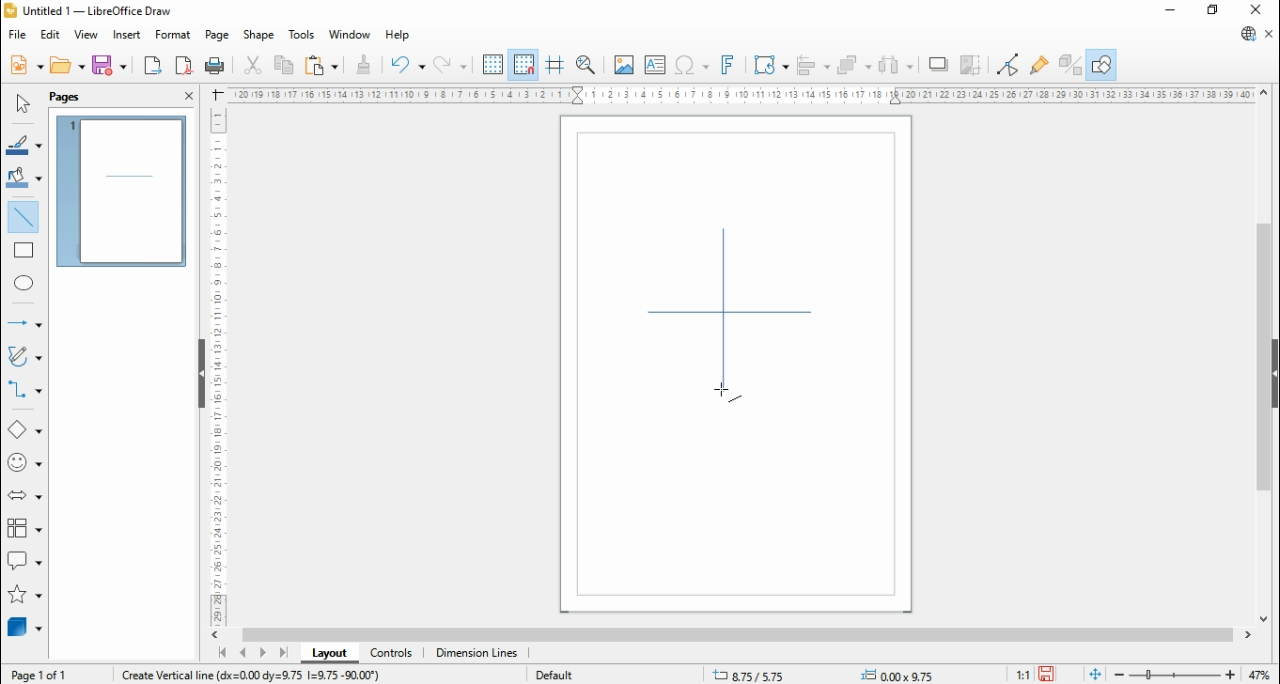 The image size is (1280, 684). I want to click on fill color, so click(24, 177).